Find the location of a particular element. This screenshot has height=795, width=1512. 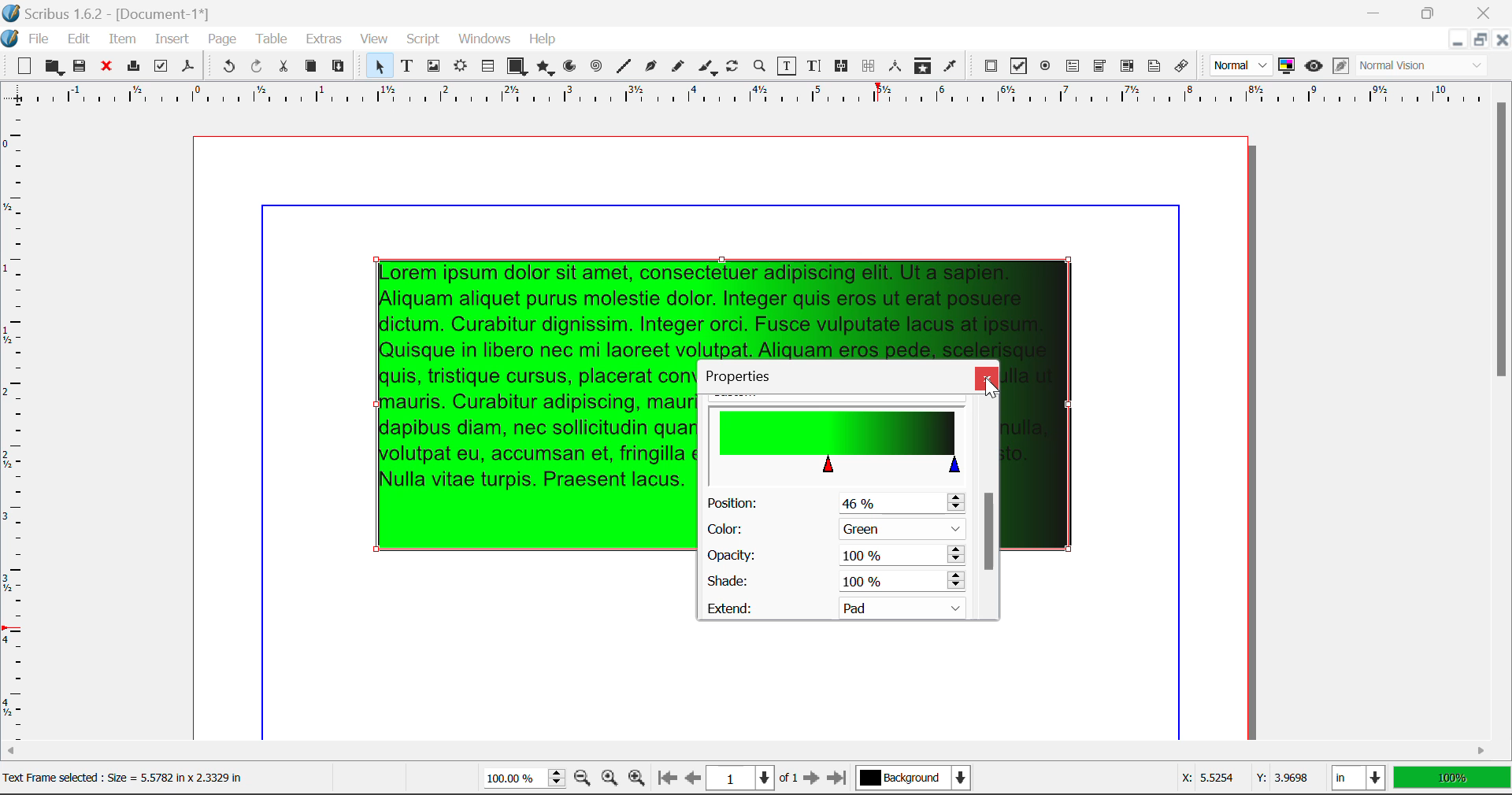

New is located at coordinates (20, 67).